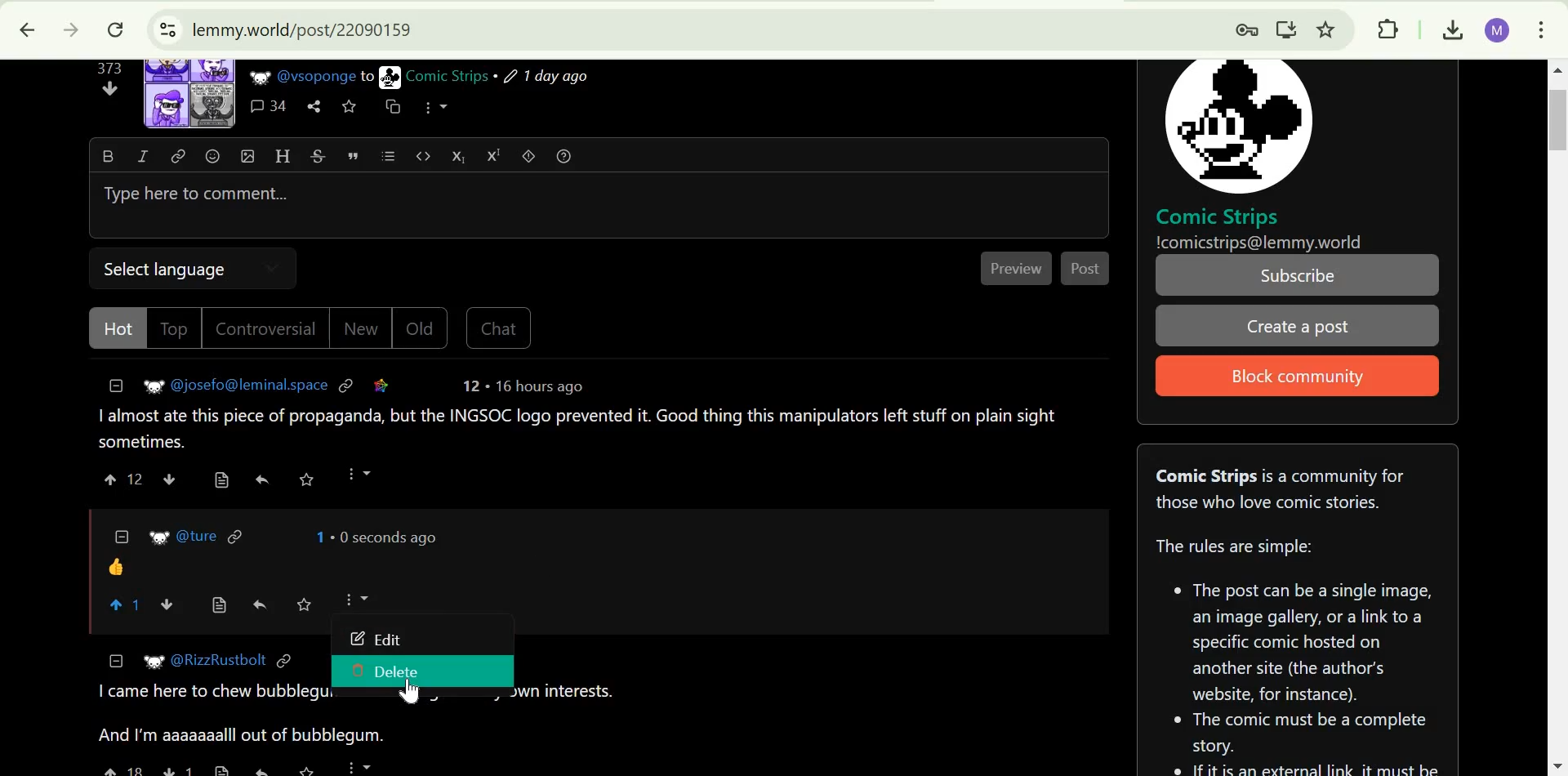 The height and width of the screenshot is (776, 1568). What do you see at coordinates (381, 385) in the screenshot?
I see `link` at bounding box center [381, 385].